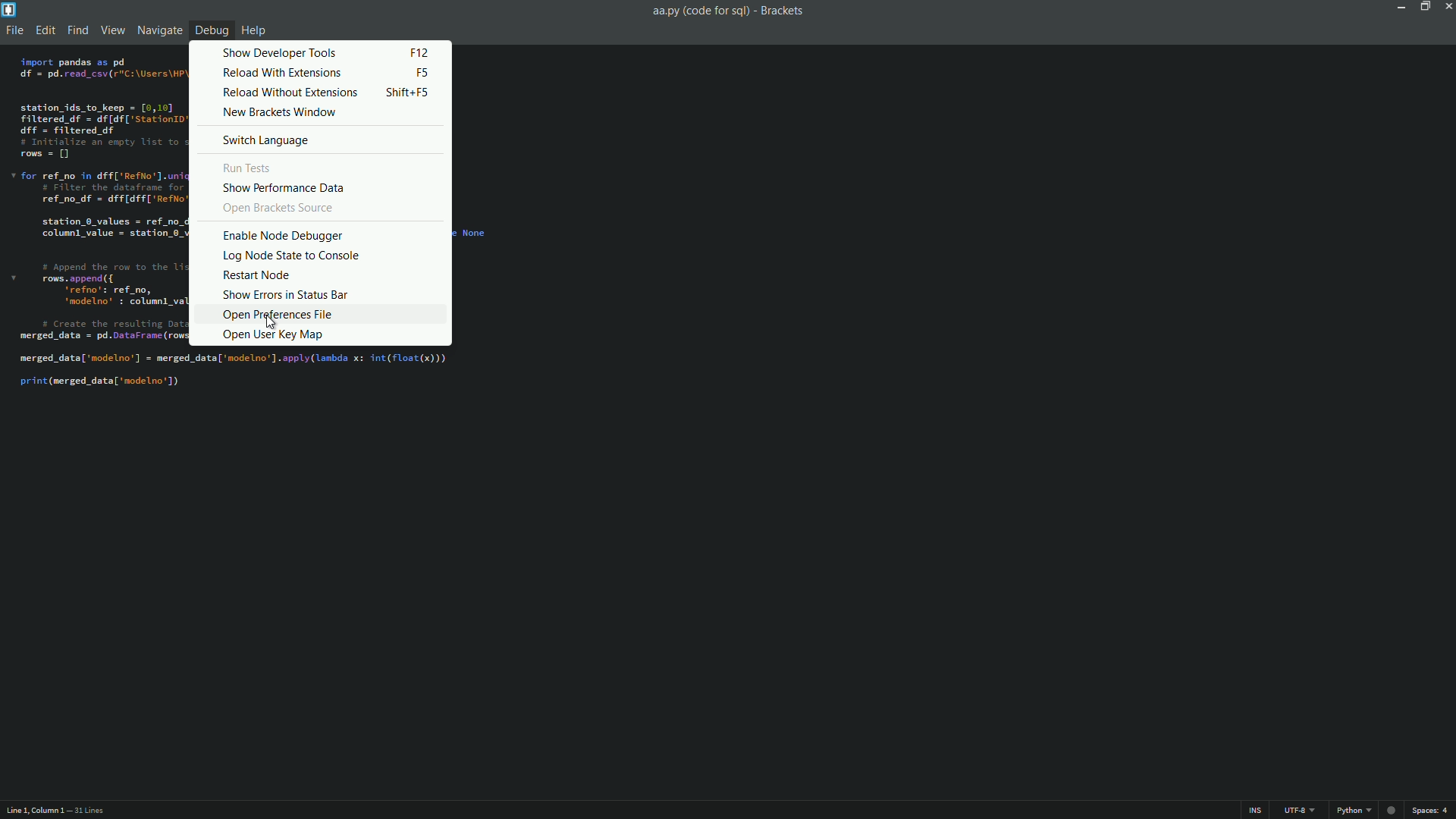  I want to click on file menu, so click(15, 30).